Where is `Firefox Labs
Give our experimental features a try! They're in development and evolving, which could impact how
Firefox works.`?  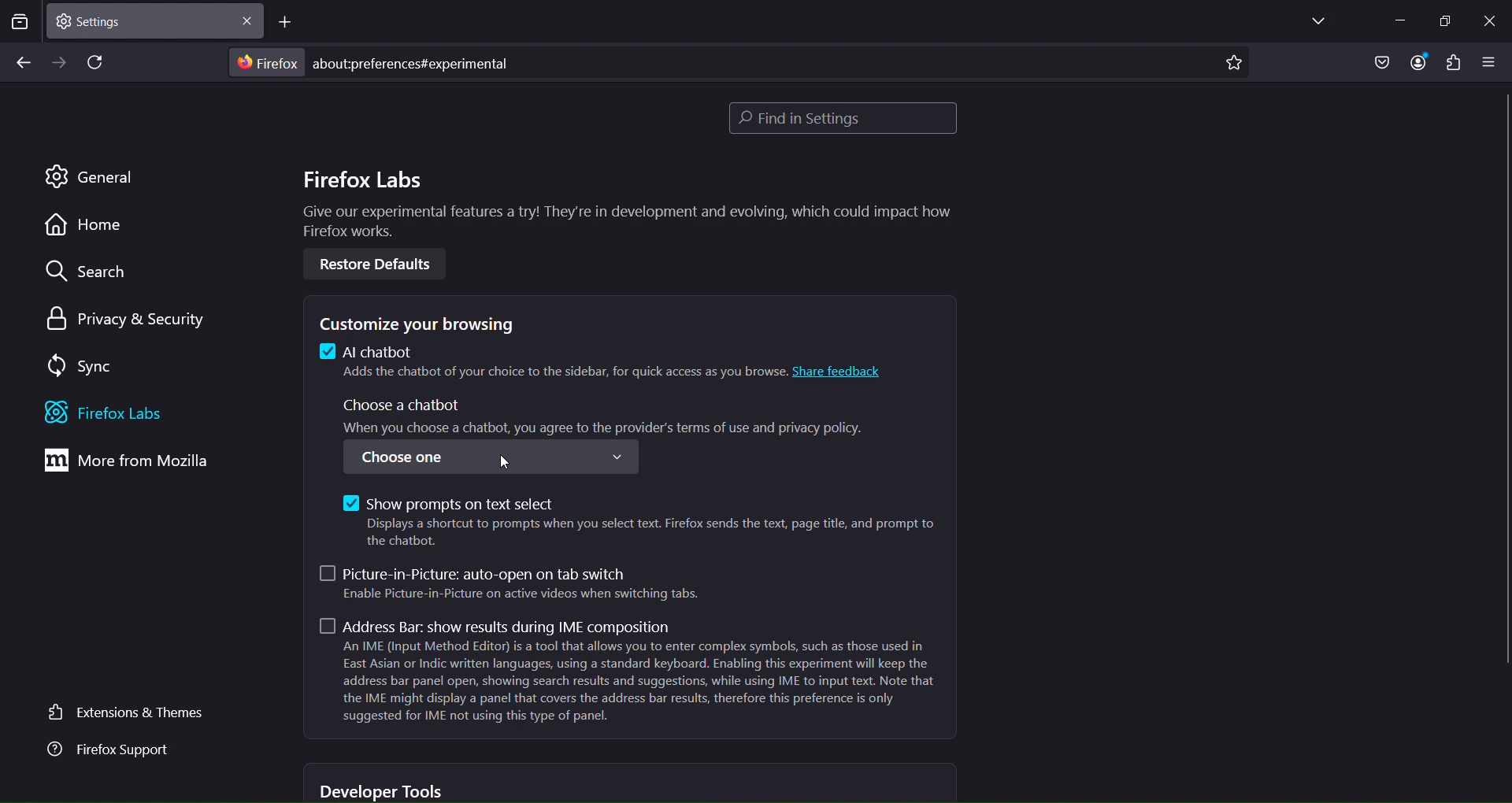 Firefox Labs
Give our experimental features a try! They're in development and evolving, which could impact how
Firefox works. is located at coordinates (623, 205).